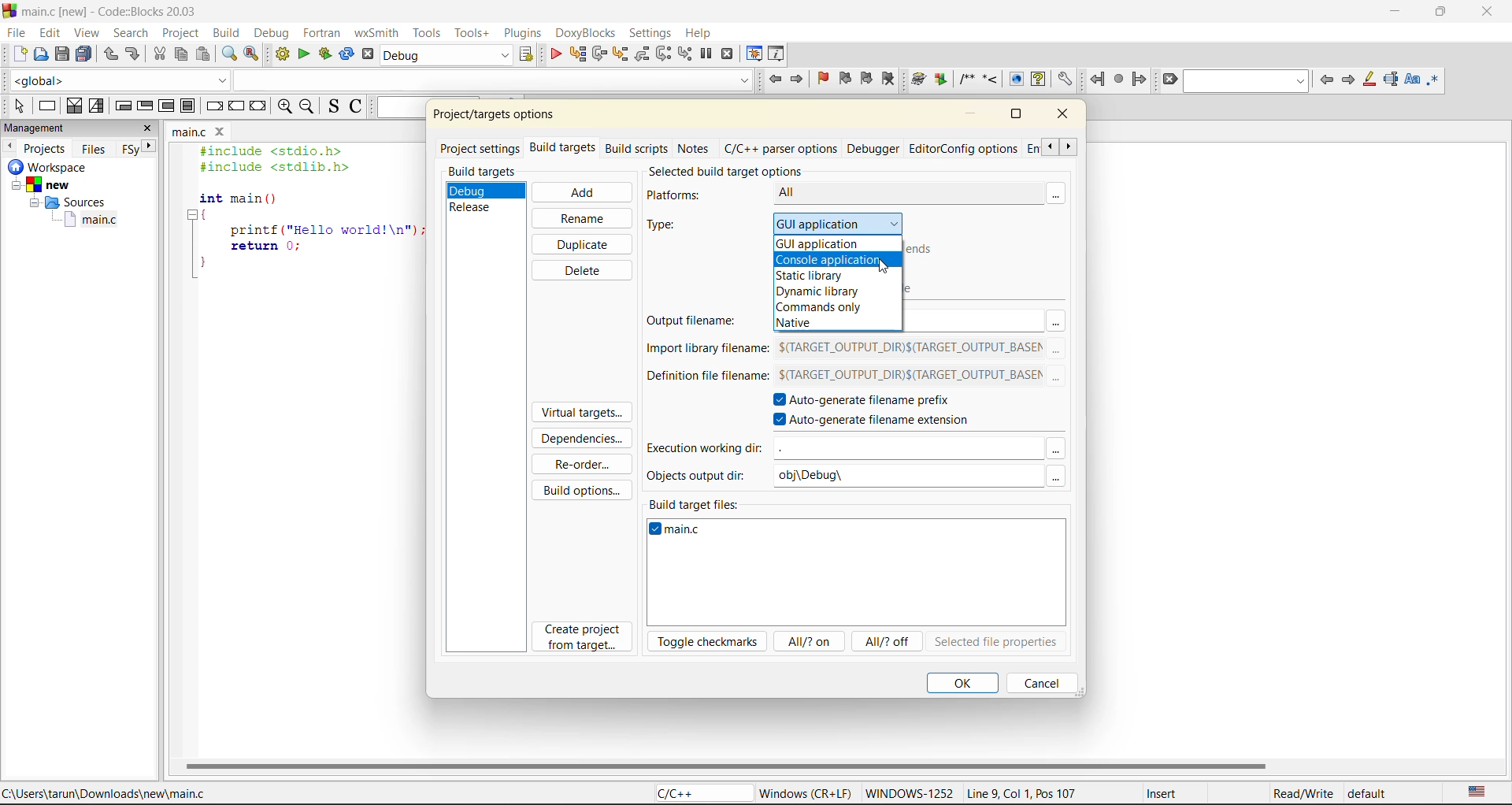 This screenshot has width=1512, height=805. What do you see at coordinates (1161, 793) in the screenshot?
I see `Insert` at bounding box center [1161, 793].